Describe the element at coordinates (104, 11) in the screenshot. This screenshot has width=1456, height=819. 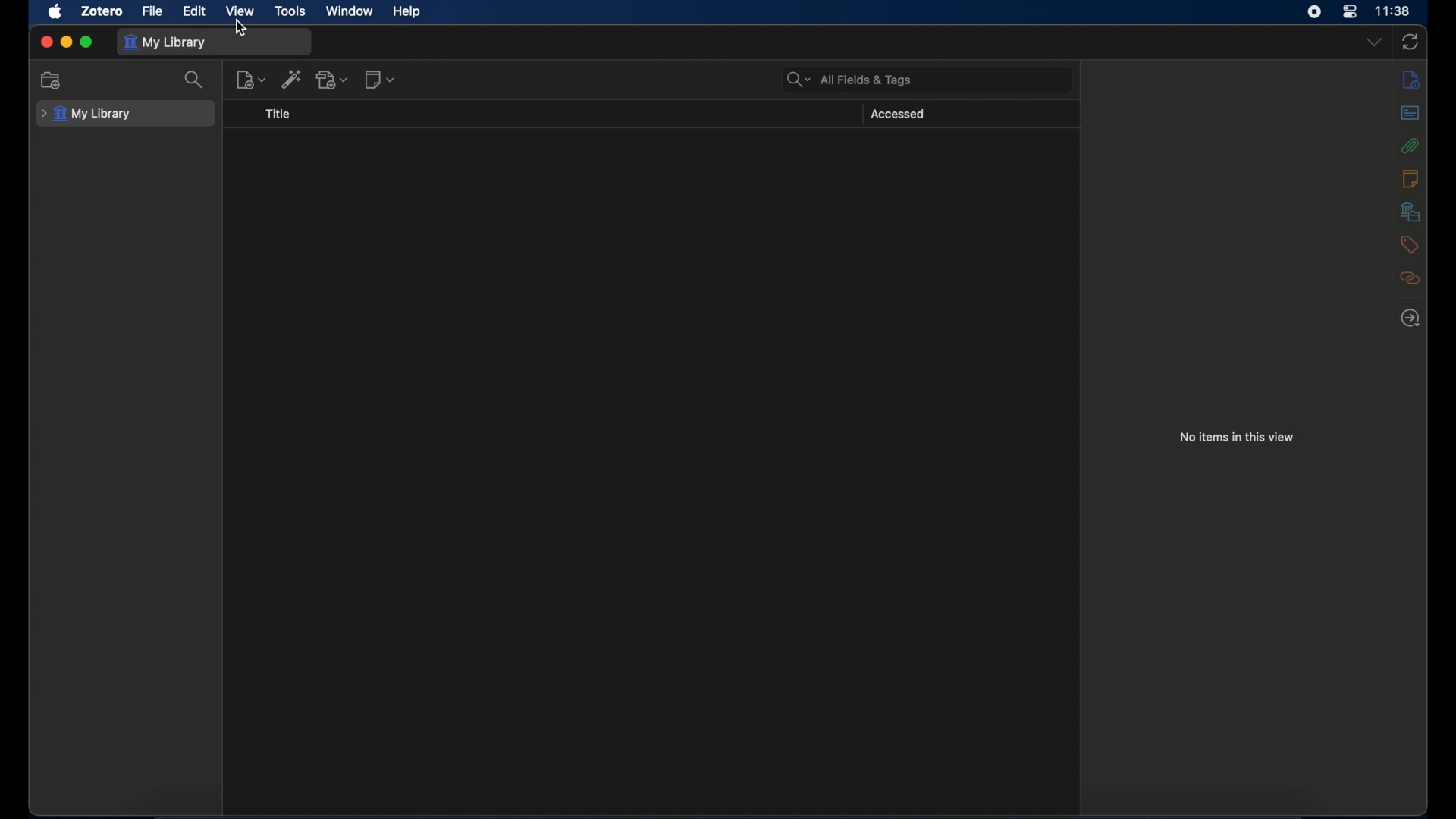
I see `zotero` at that location.